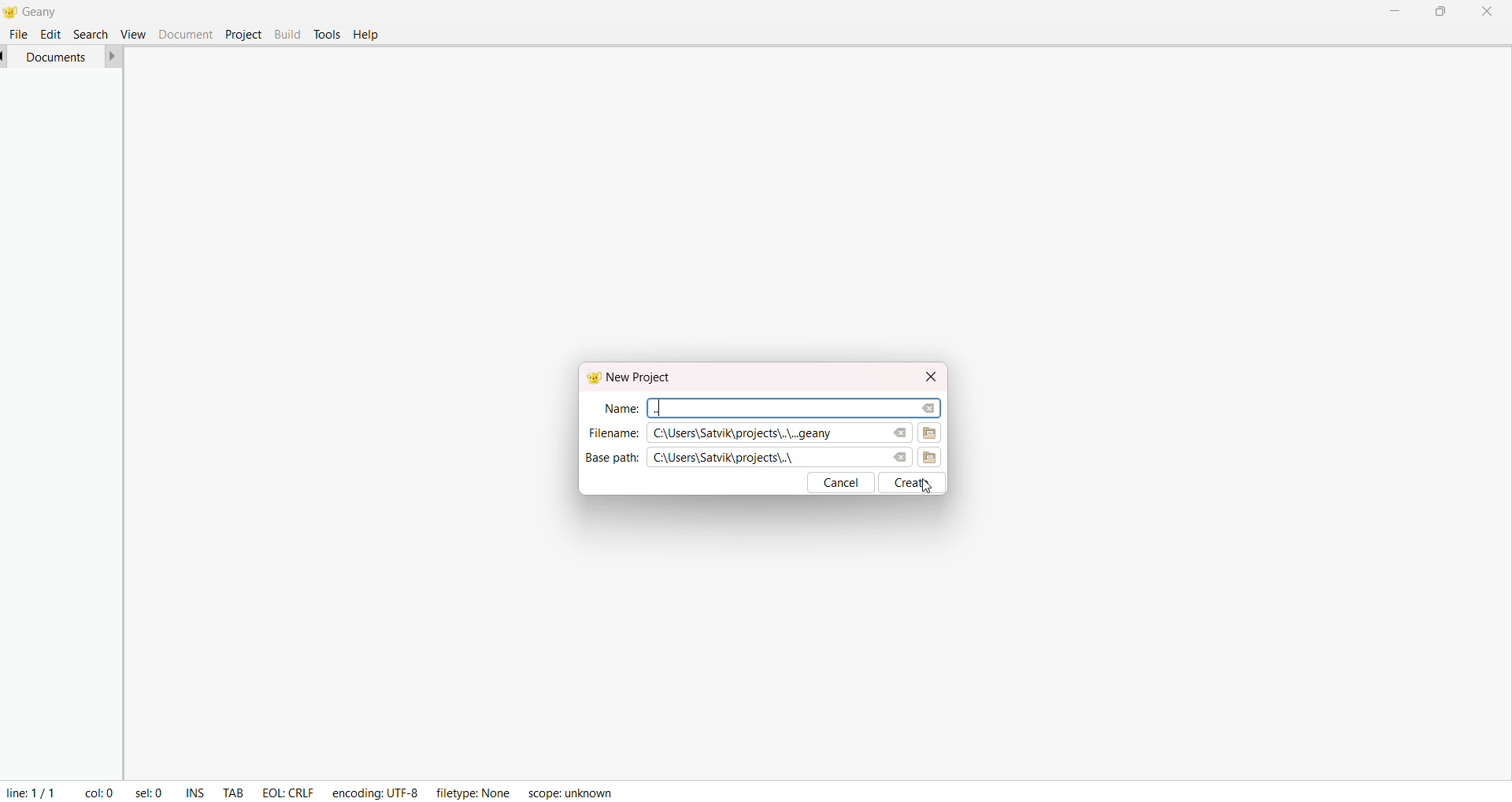  I want to click on project, so click(243, 34).